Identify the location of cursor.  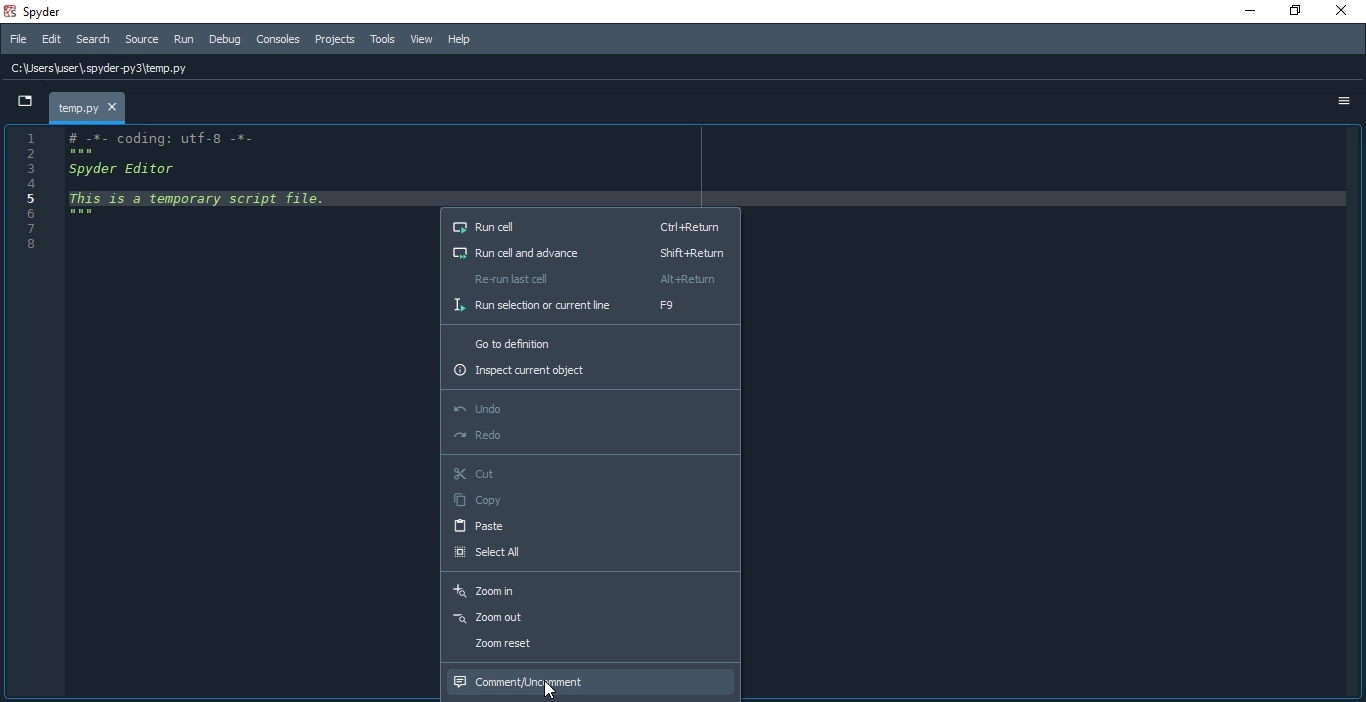
(555, 687).